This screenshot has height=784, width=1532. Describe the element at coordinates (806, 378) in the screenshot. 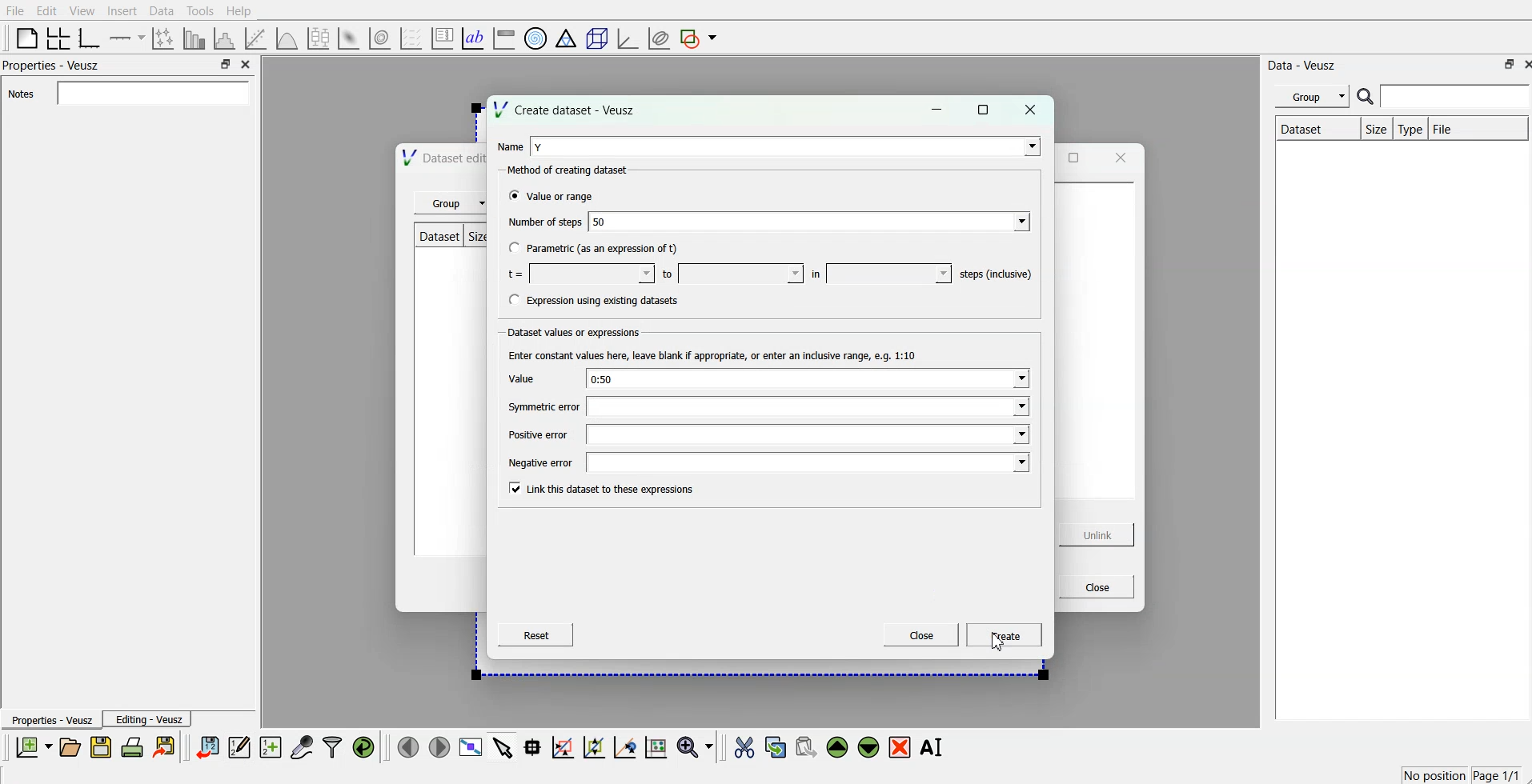

I see `0:50` at that location.